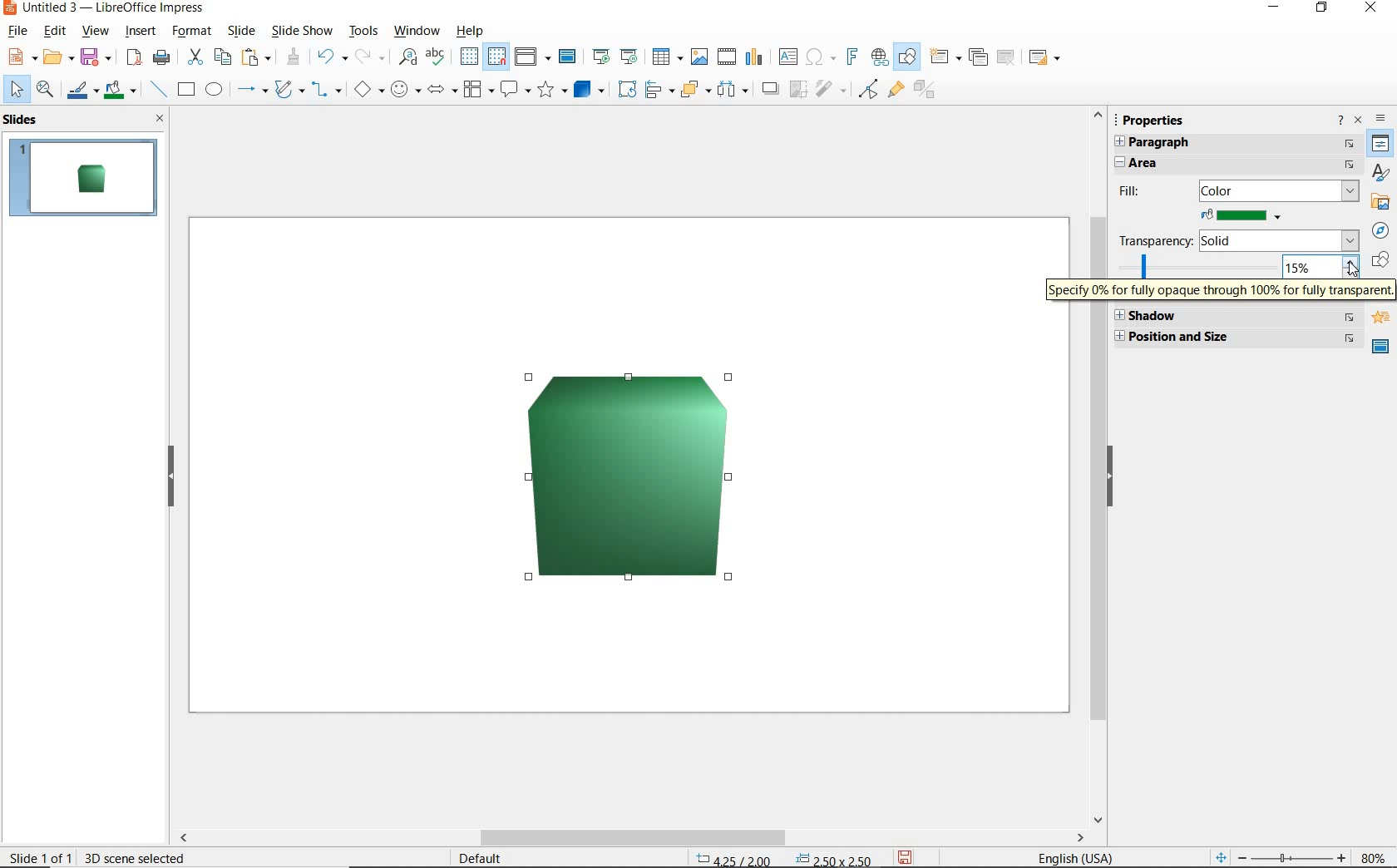 The image size is (1397, 868). Describe the element at coordinates (1237, 190) in the screenshot. I see `FILL` at that location.